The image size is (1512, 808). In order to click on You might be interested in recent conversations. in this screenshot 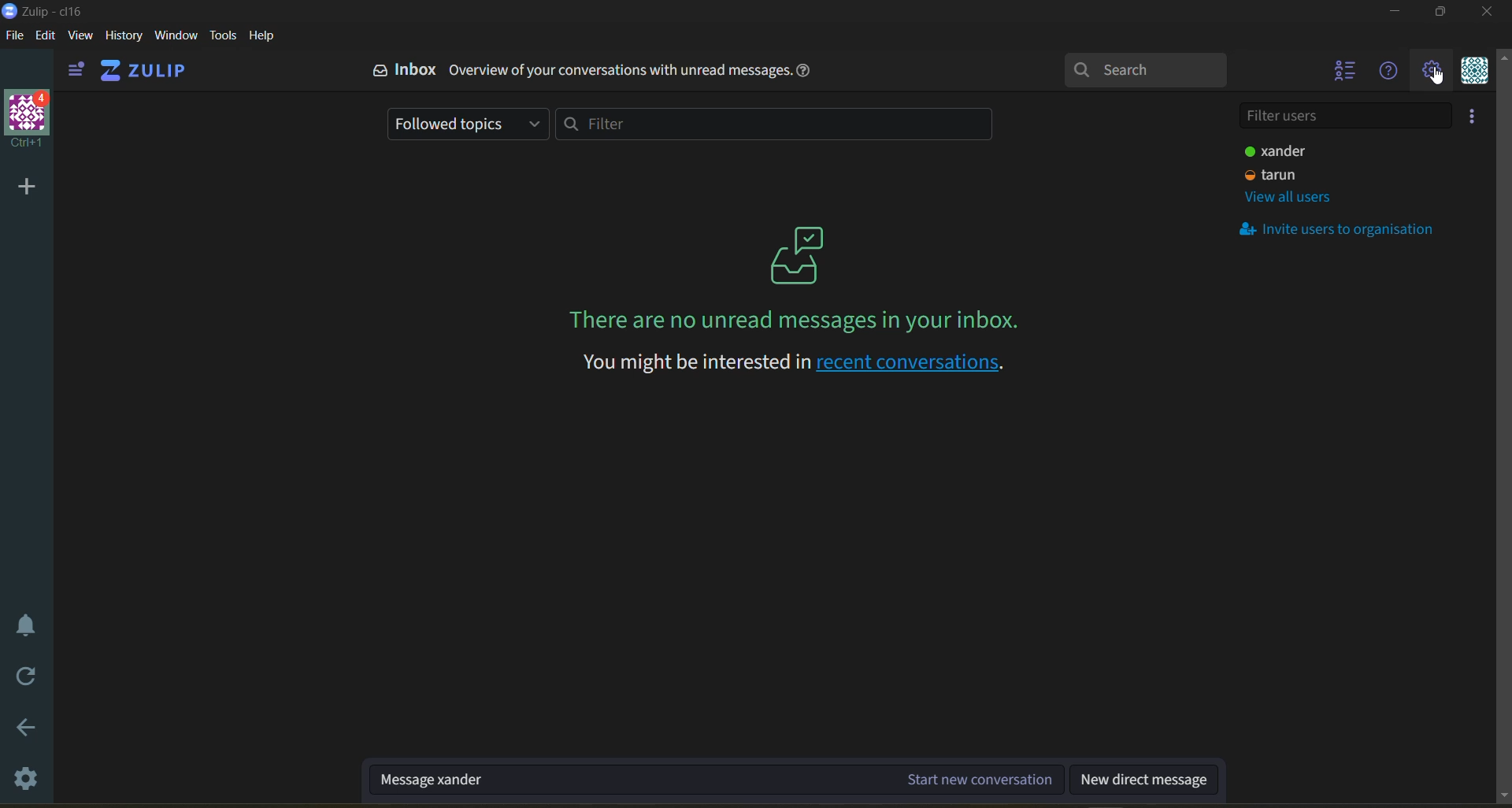, I will do `click(791, 363)`.